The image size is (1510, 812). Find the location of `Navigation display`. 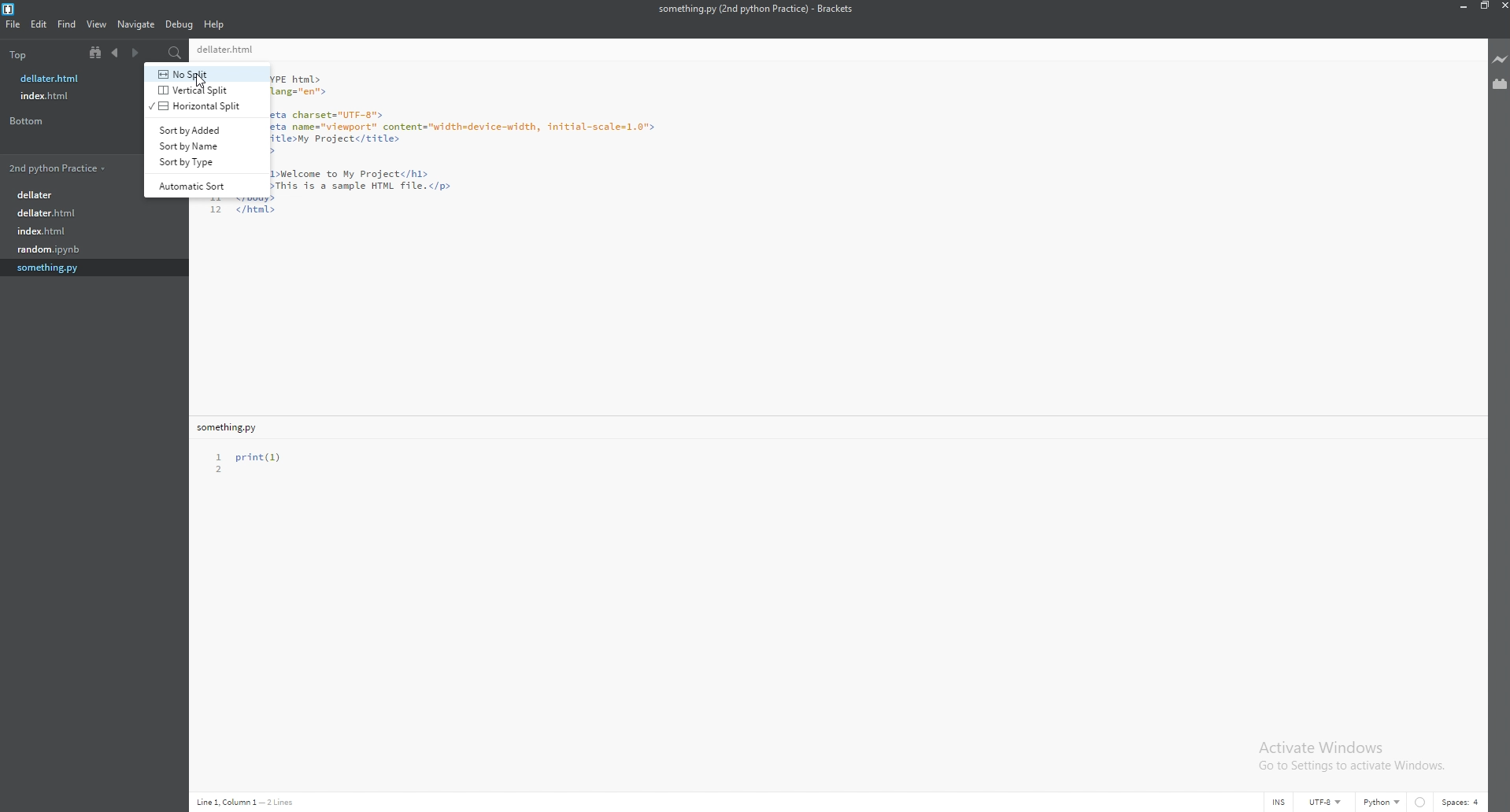

Navigation display is located at coordinates (250, 802).